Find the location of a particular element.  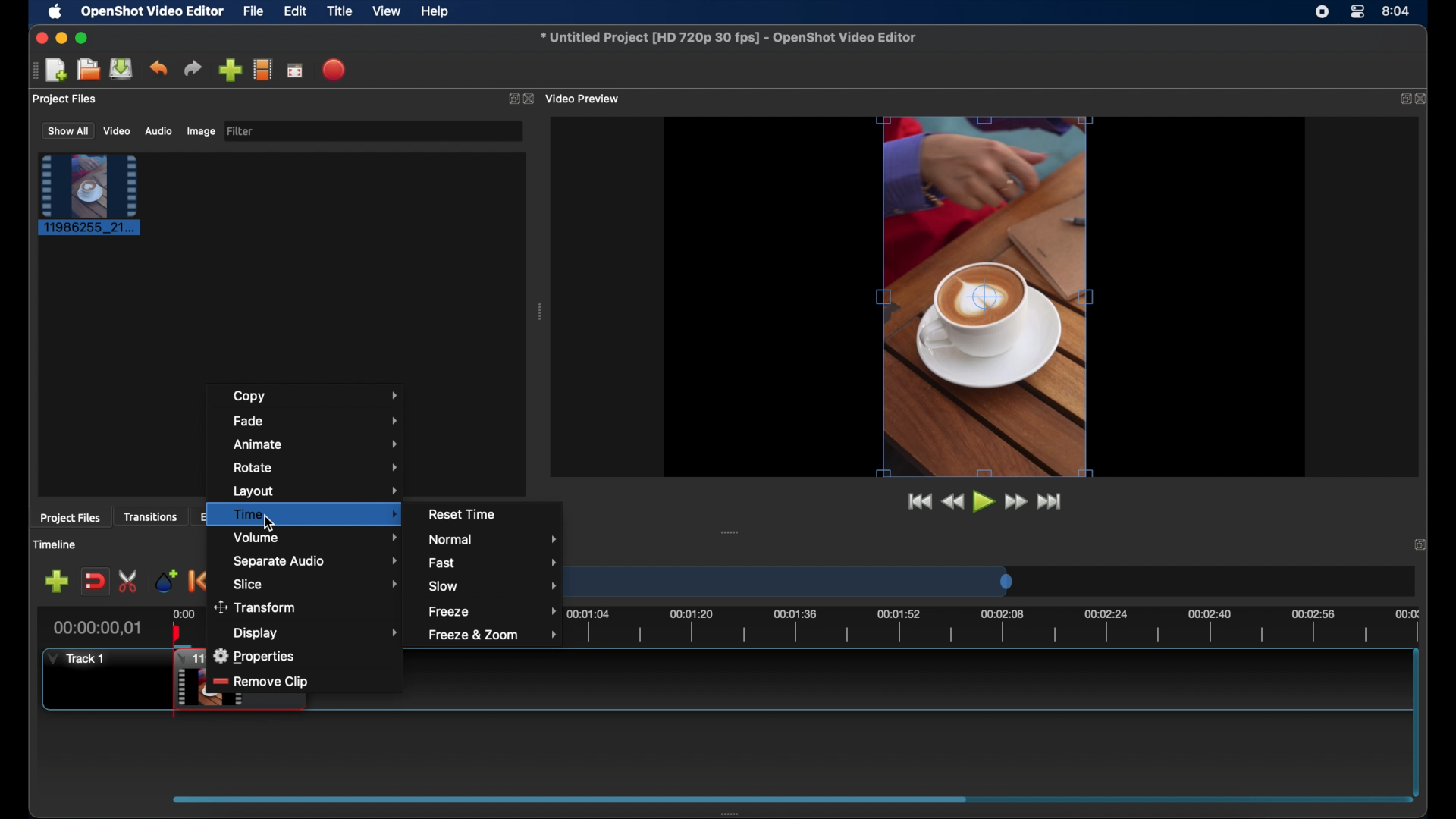

normal menu is located at coordinates (496, 540).